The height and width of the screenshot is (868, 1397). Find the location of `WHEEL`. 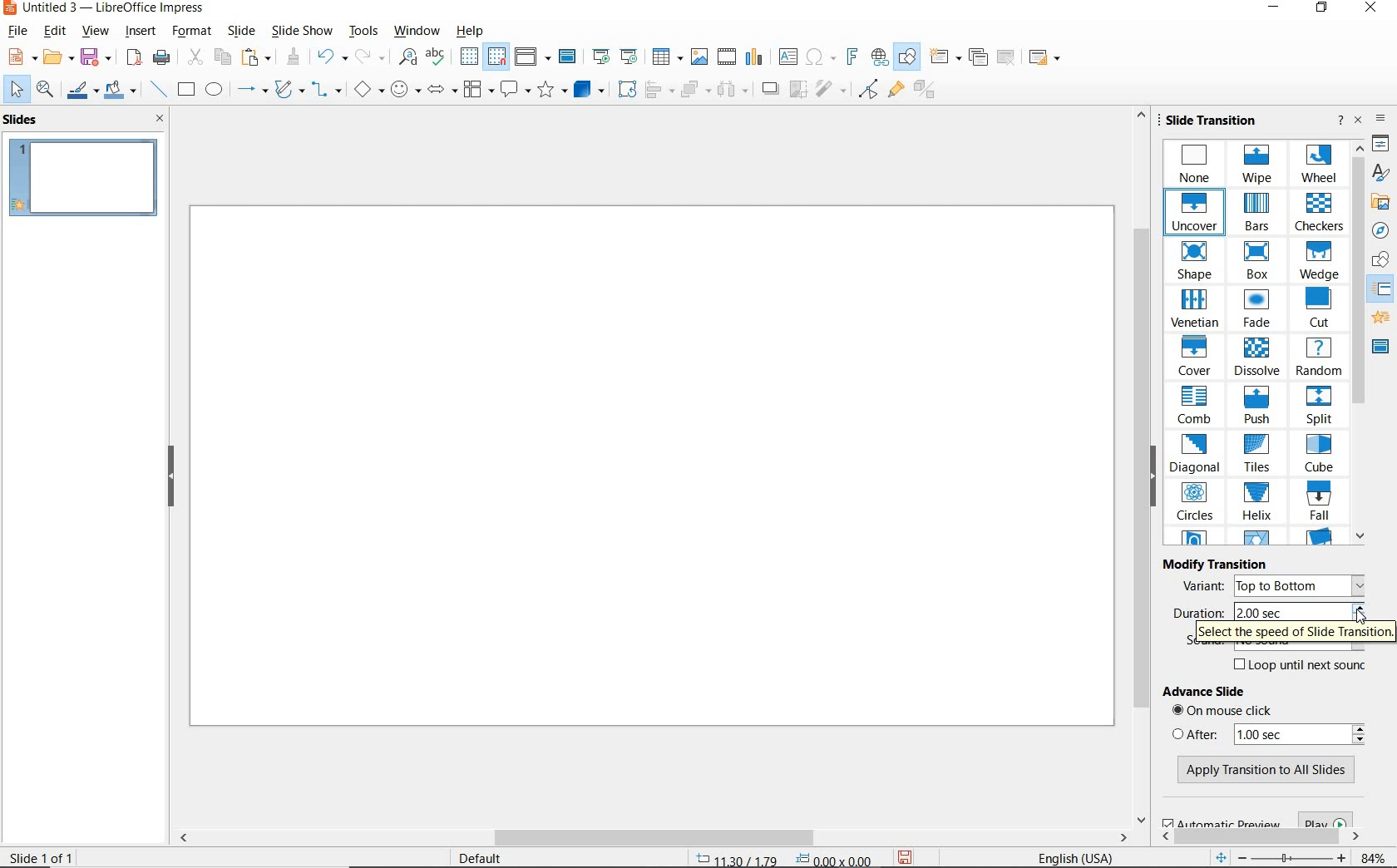

WHEEL is located at coordinates (1320, 165).